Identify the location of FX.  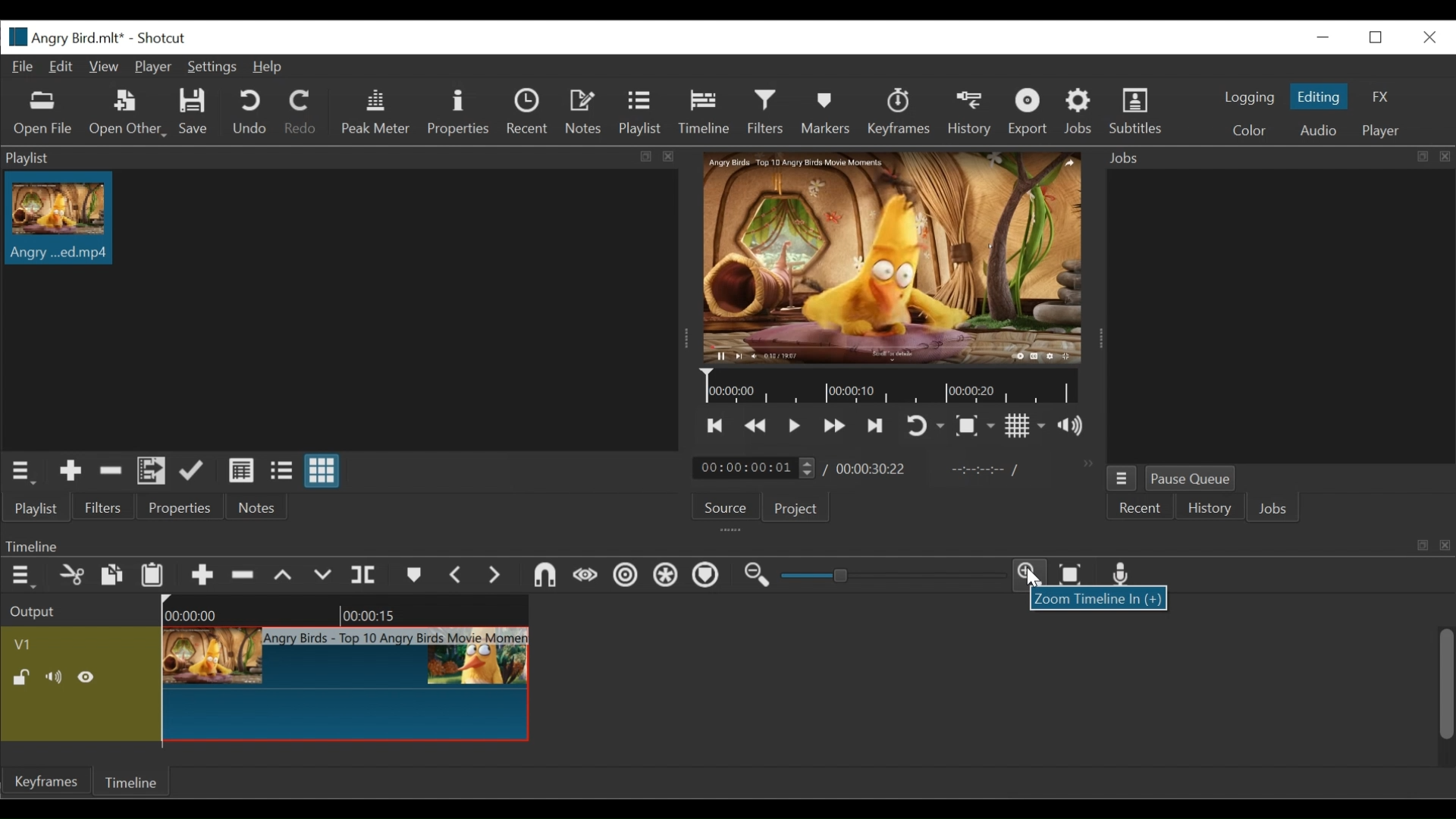
(1381, 96).